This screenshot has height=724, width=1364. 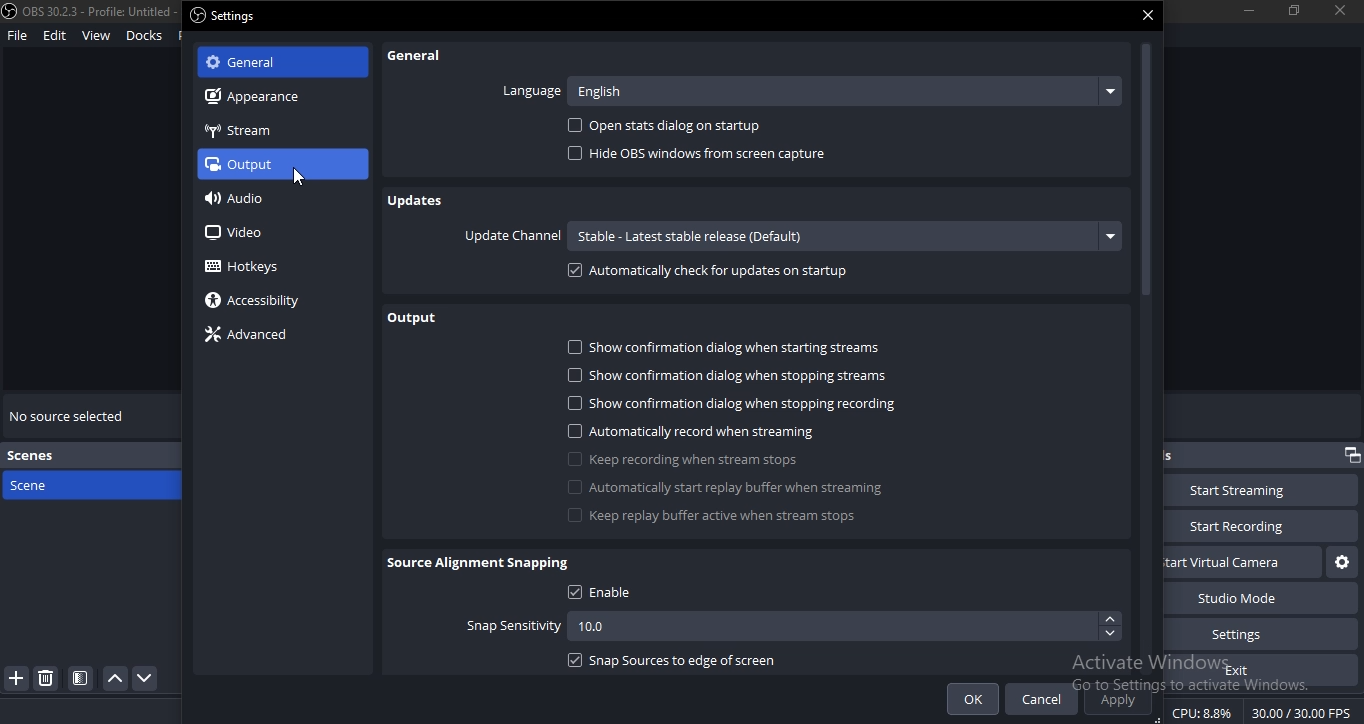 What do you see at coordinates (147, 678) in the screenshot?
I see `move down scene` at bounding box center [147, 678].